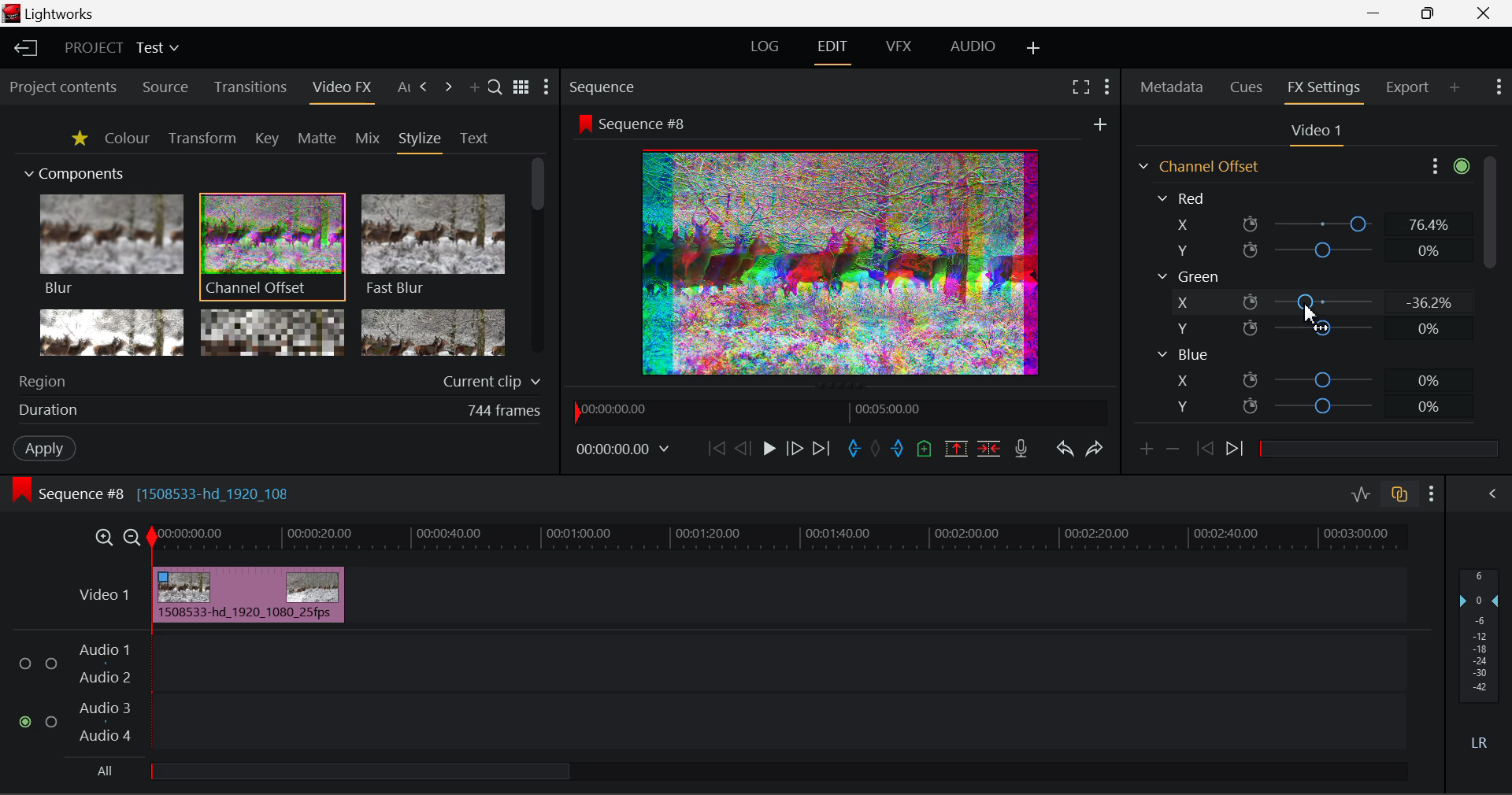 Image resolution: width=1512 pixels, height=795 pixels. I want to click on Video FX, so click(341, 91).